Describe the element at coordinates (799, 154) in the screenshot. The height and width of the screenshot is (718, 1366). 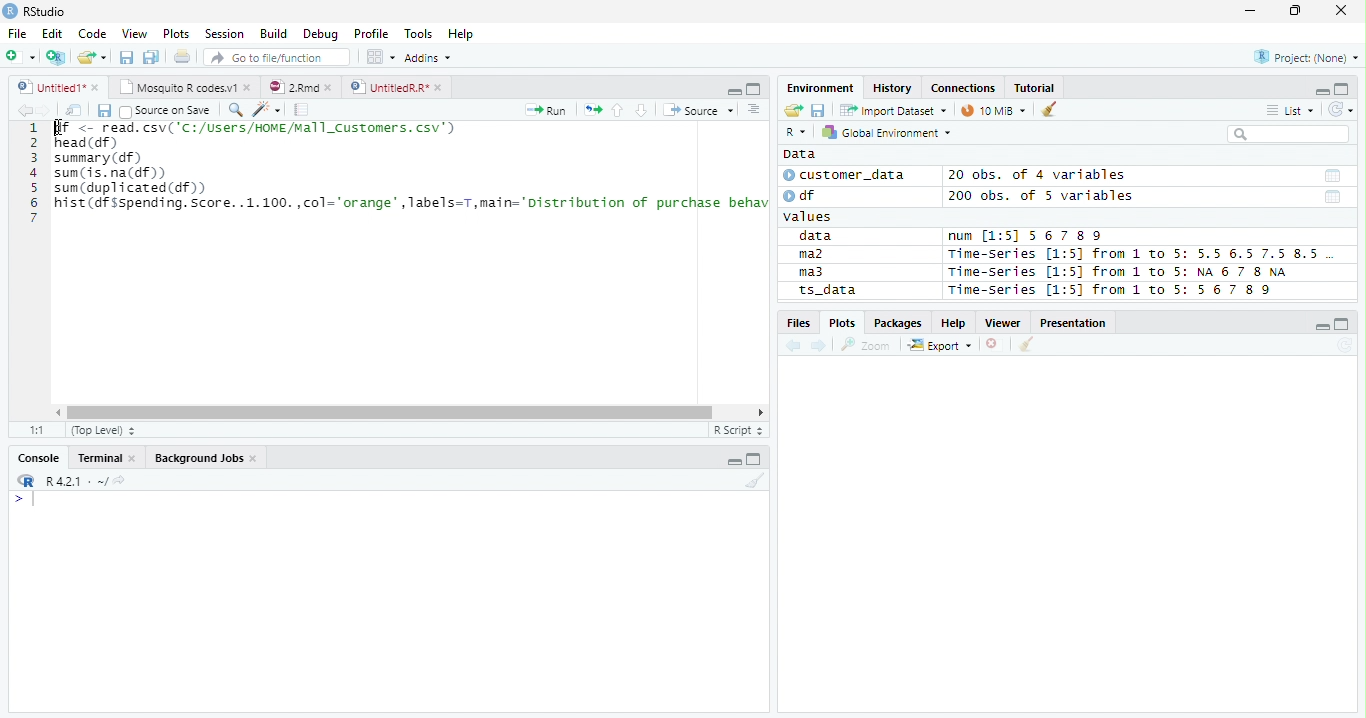
I see `Data` at that location.